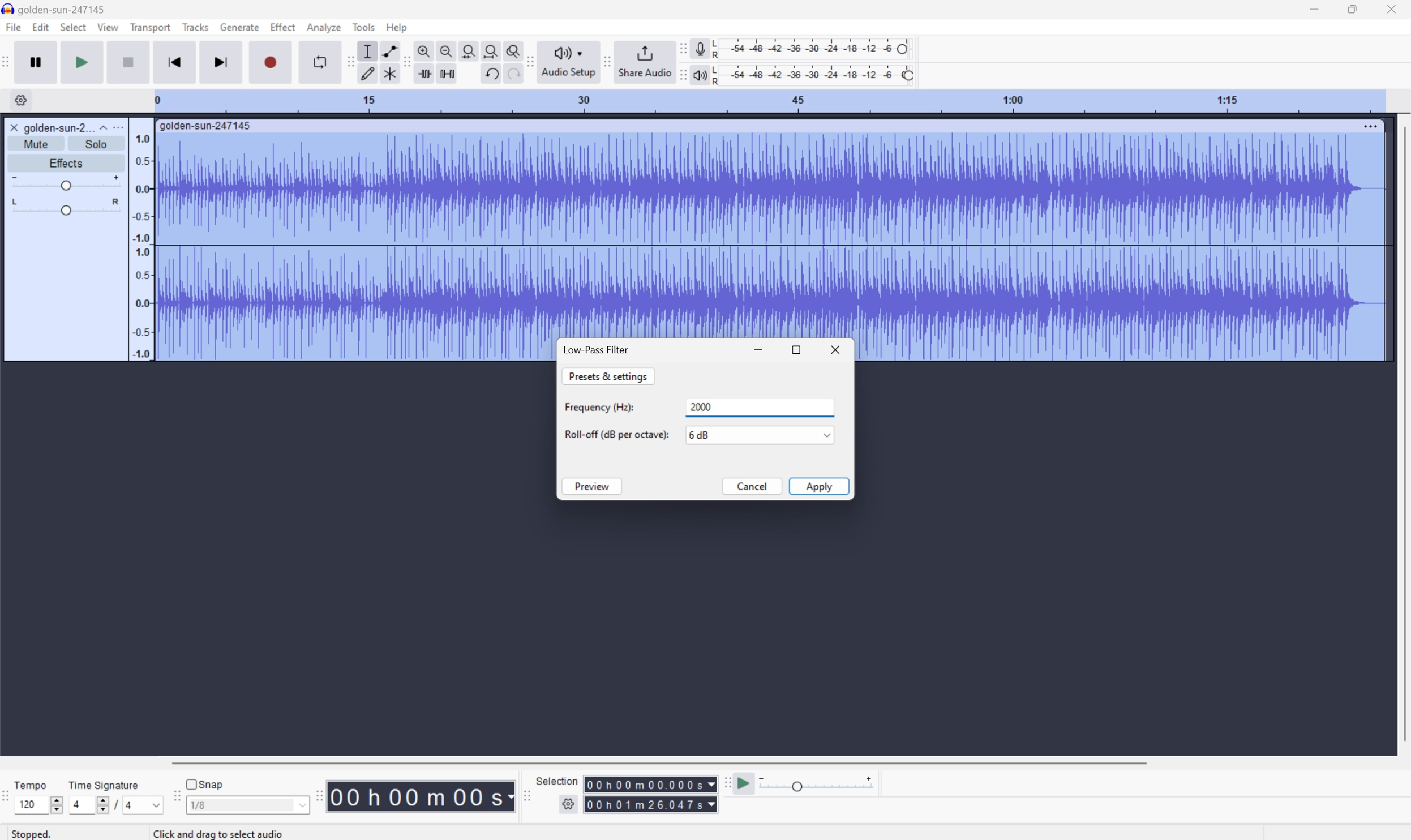 The height and width of the screenshot is (840, 1411). I want to click on File, so click(12, 27).